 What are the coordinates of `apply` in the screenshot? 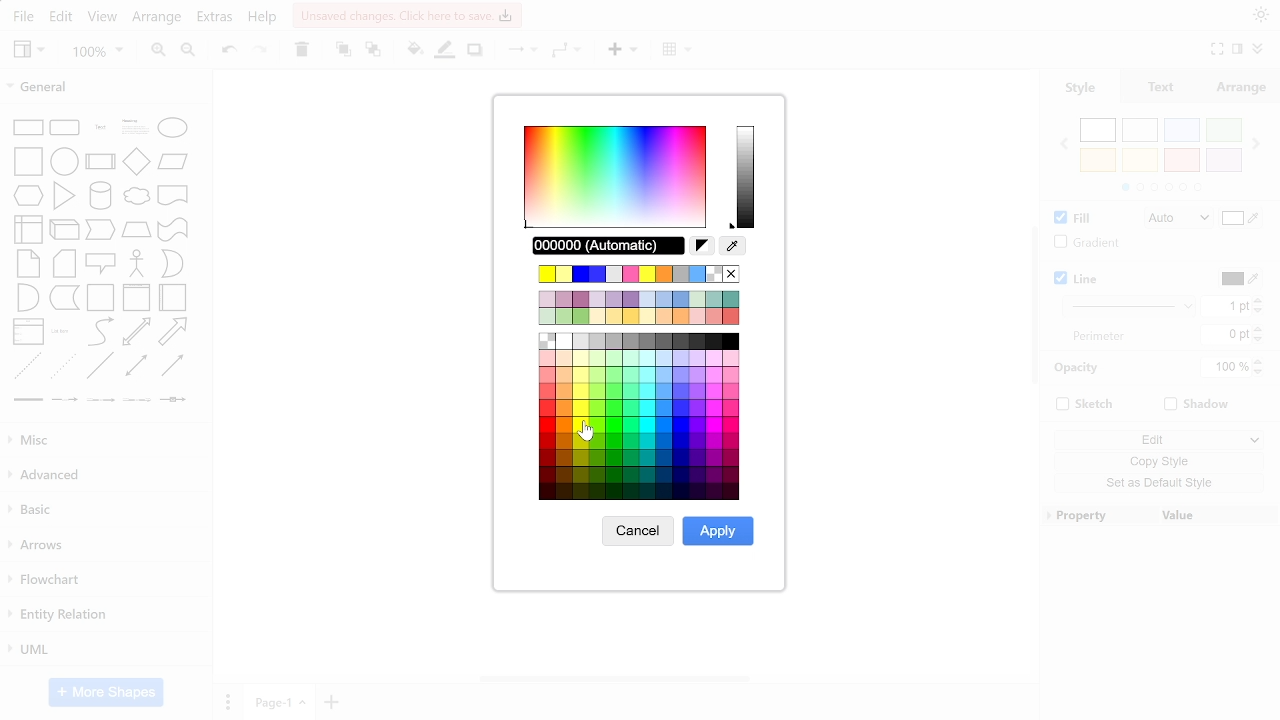 It's located at (718, 530).